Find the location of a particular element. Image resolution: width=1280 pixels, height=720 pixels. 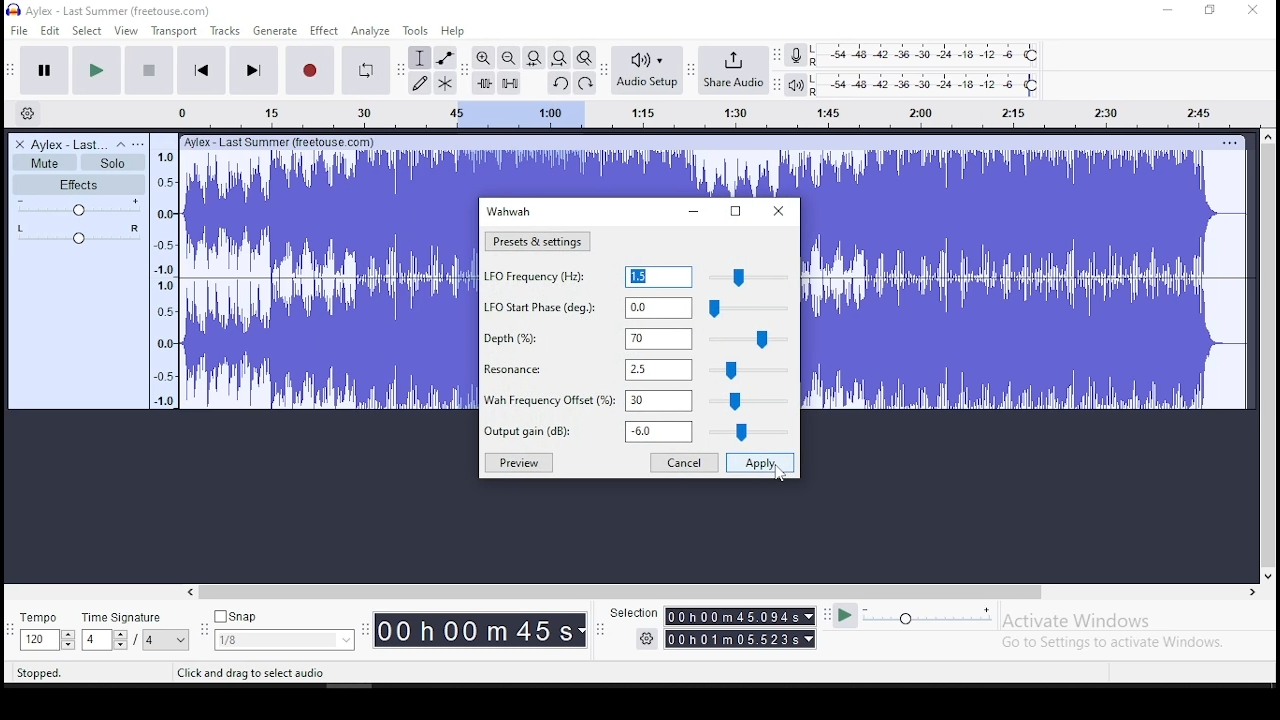

wah frequency offset is located at coordinates (588, 400).